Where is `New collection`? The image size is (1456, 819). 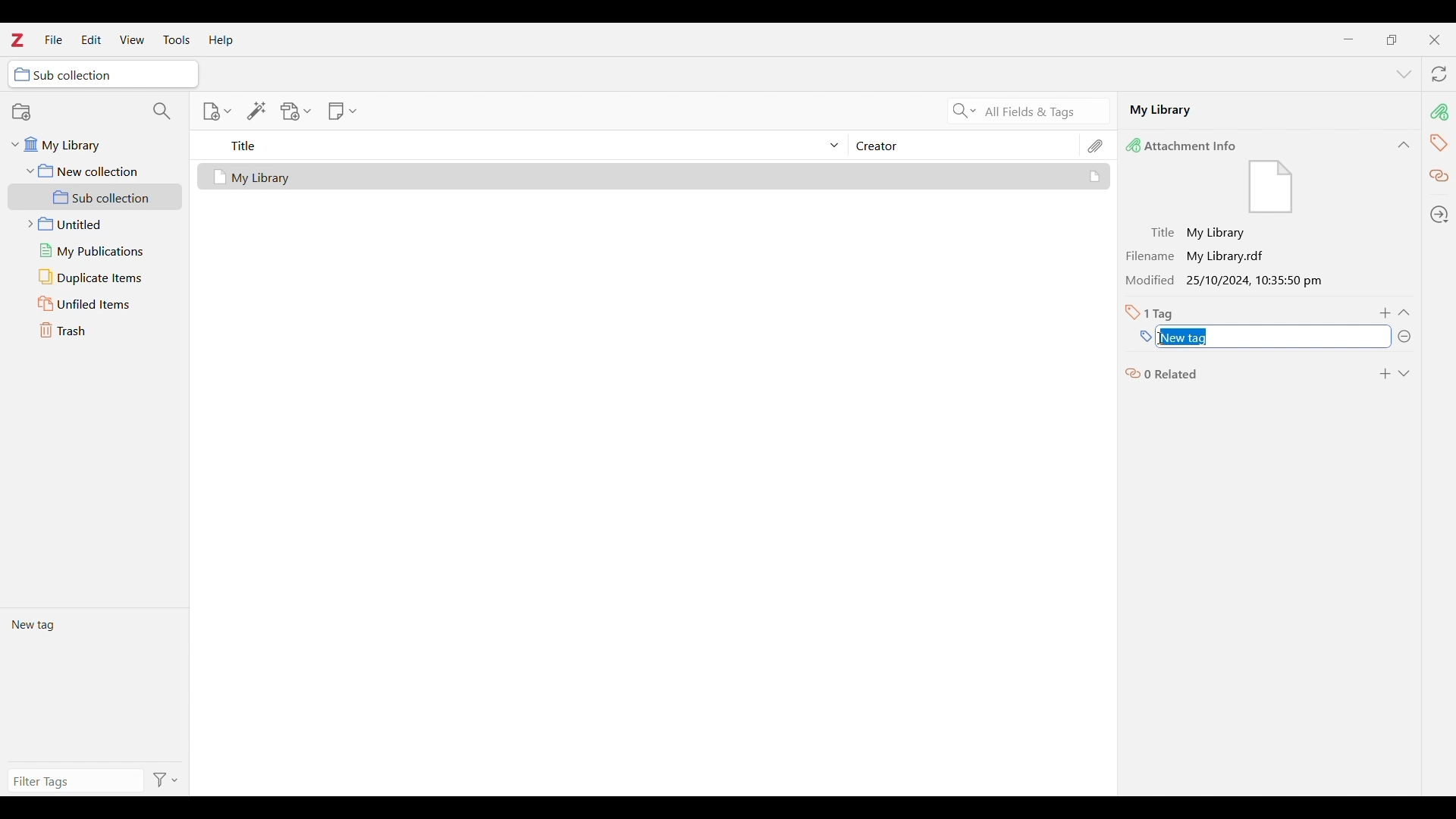 New collection is located at coordinates (21, 111).